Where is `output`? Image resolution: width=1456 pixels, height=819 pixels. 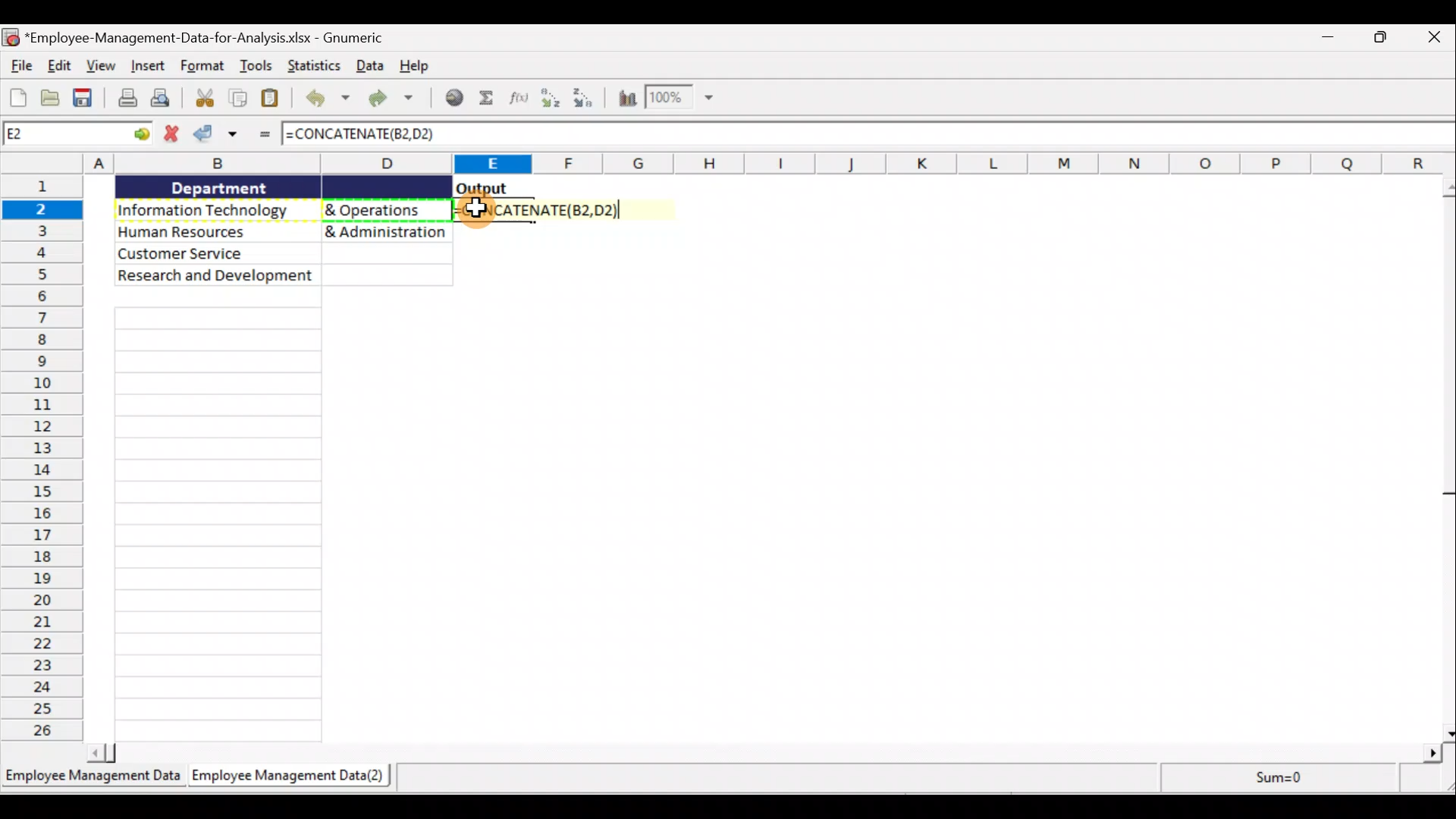
output is located at coordinates (482, 188).